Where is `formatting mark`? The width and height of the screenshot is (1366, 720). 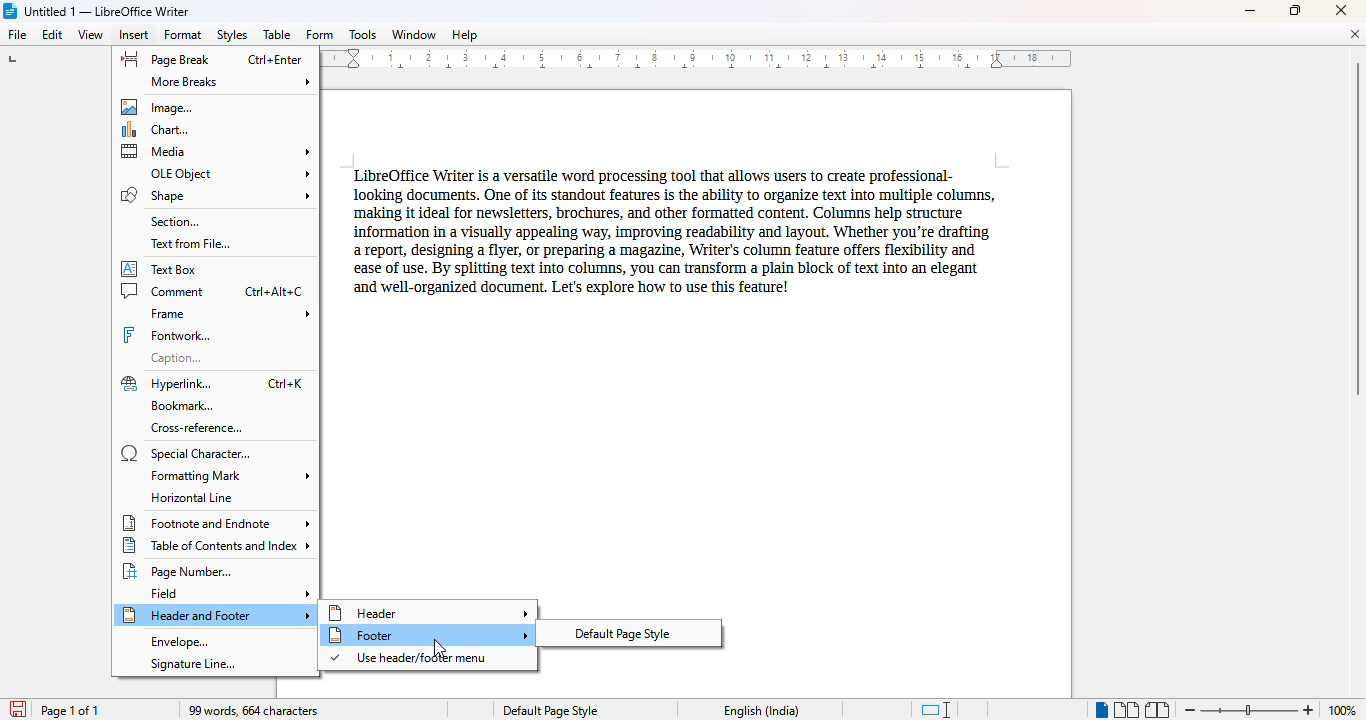
formatting mark is located at coordinates (228, 476).